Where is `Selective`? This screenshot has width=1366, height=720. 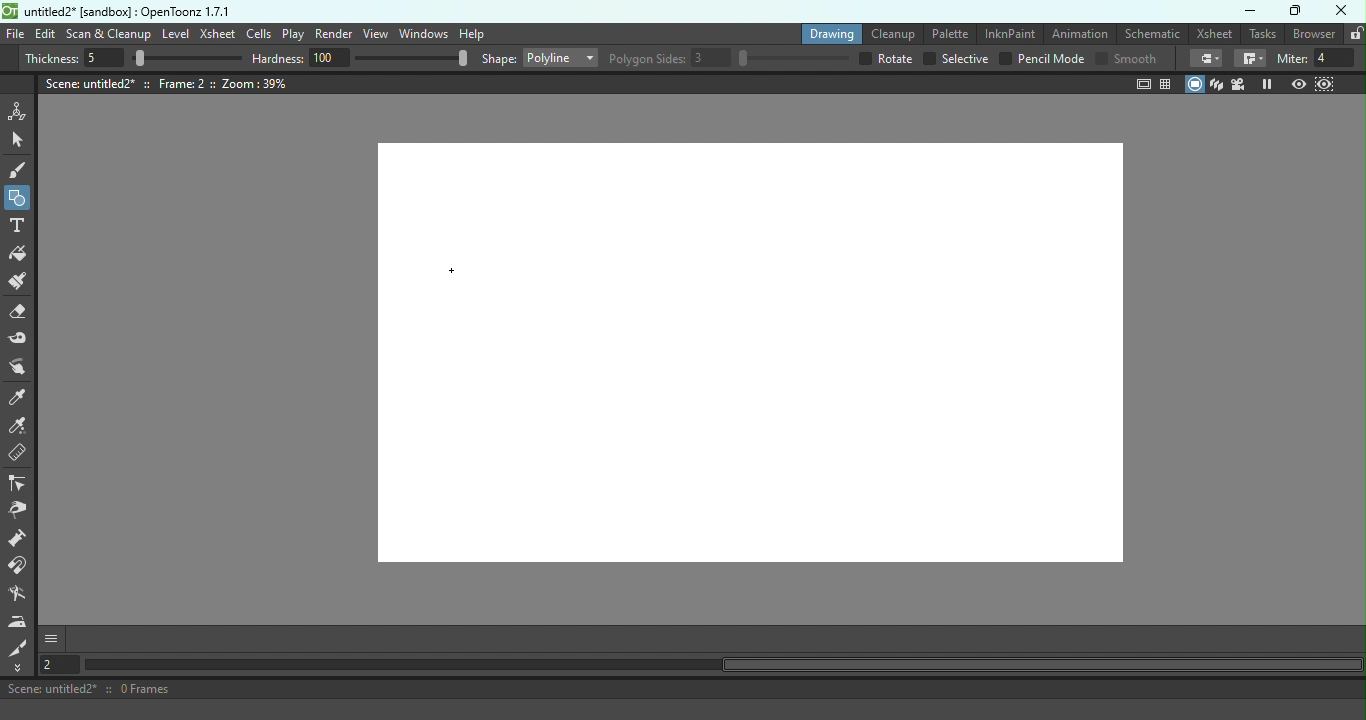
Selective is located at coordinates (956, 59).